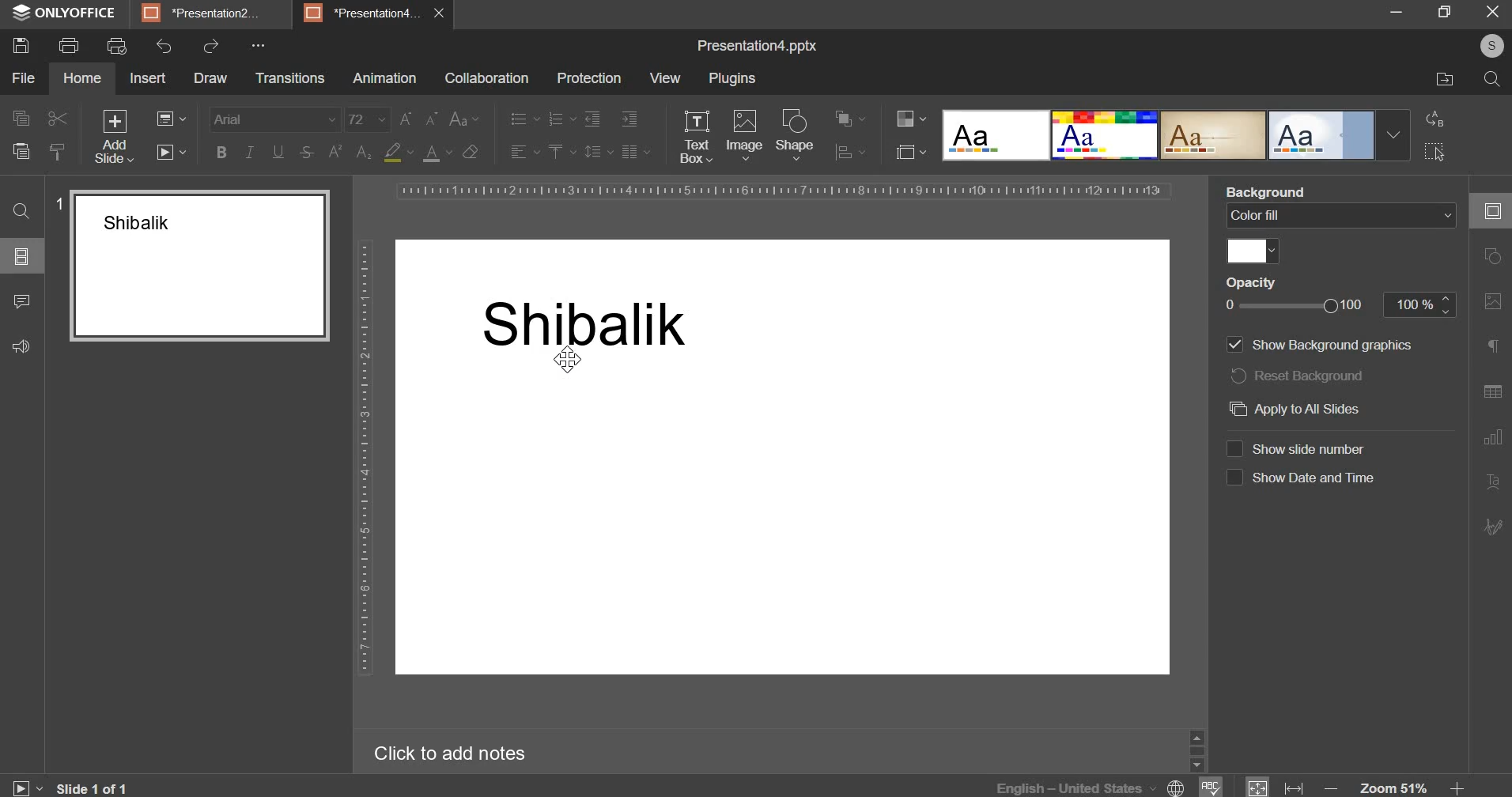 This screenshot has width=1512, height=797. I want to click on line spacing, so click(599, 152).